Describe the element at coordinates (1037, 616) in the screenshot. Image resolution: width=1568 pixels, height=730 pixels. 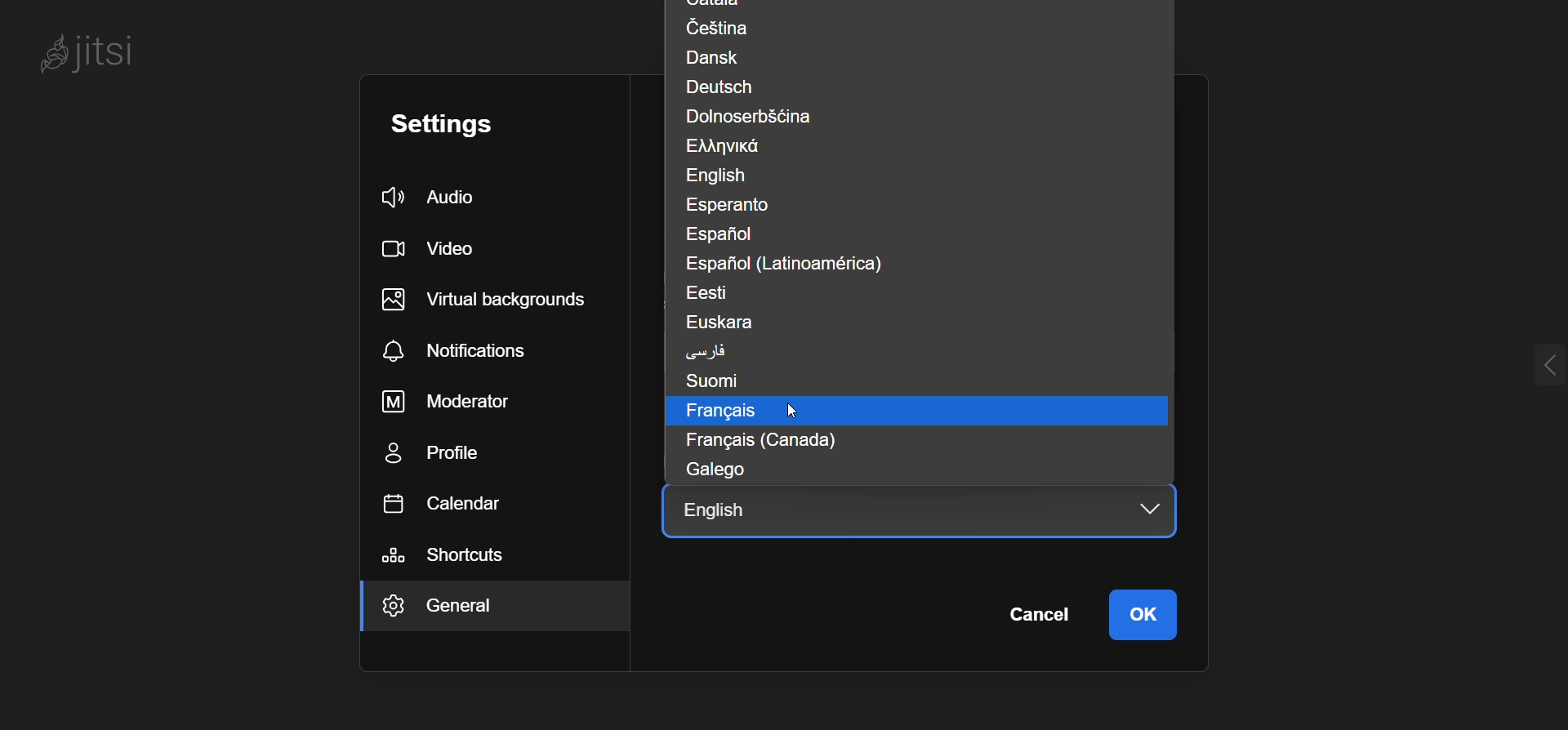
I see `cancel` at that location.